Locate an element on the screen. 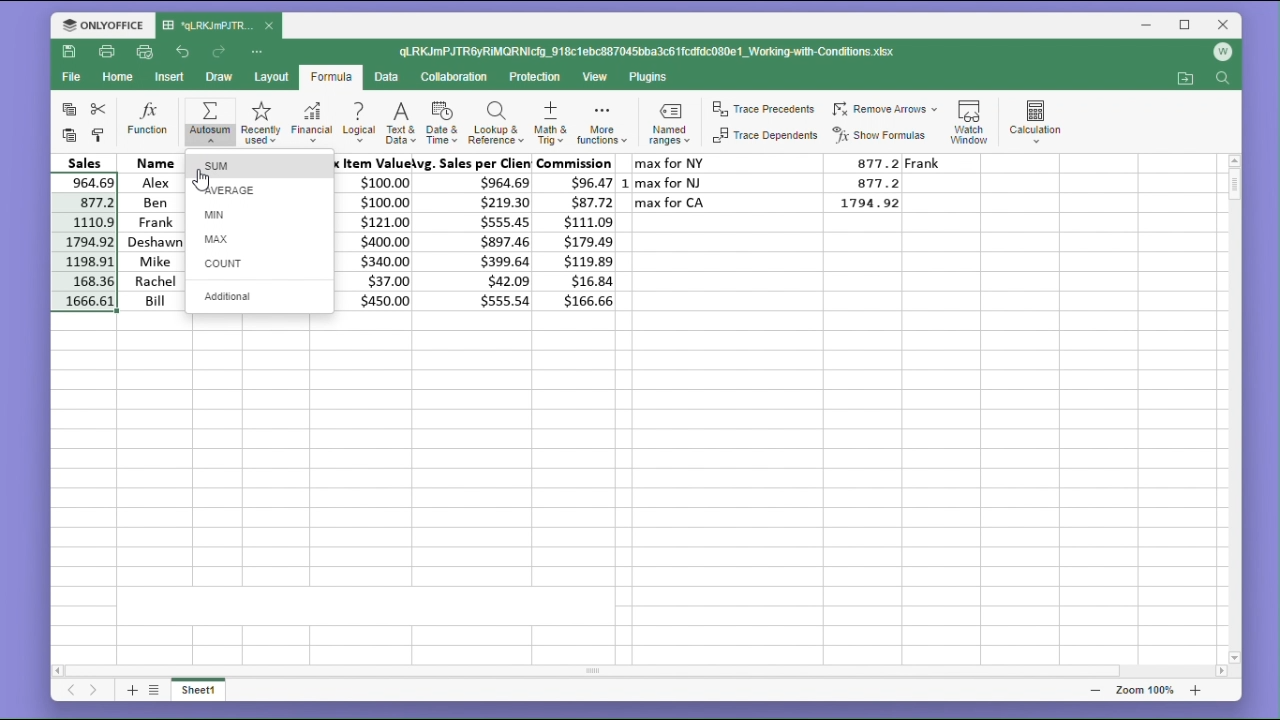  print file is located at coordinates (108, 53).